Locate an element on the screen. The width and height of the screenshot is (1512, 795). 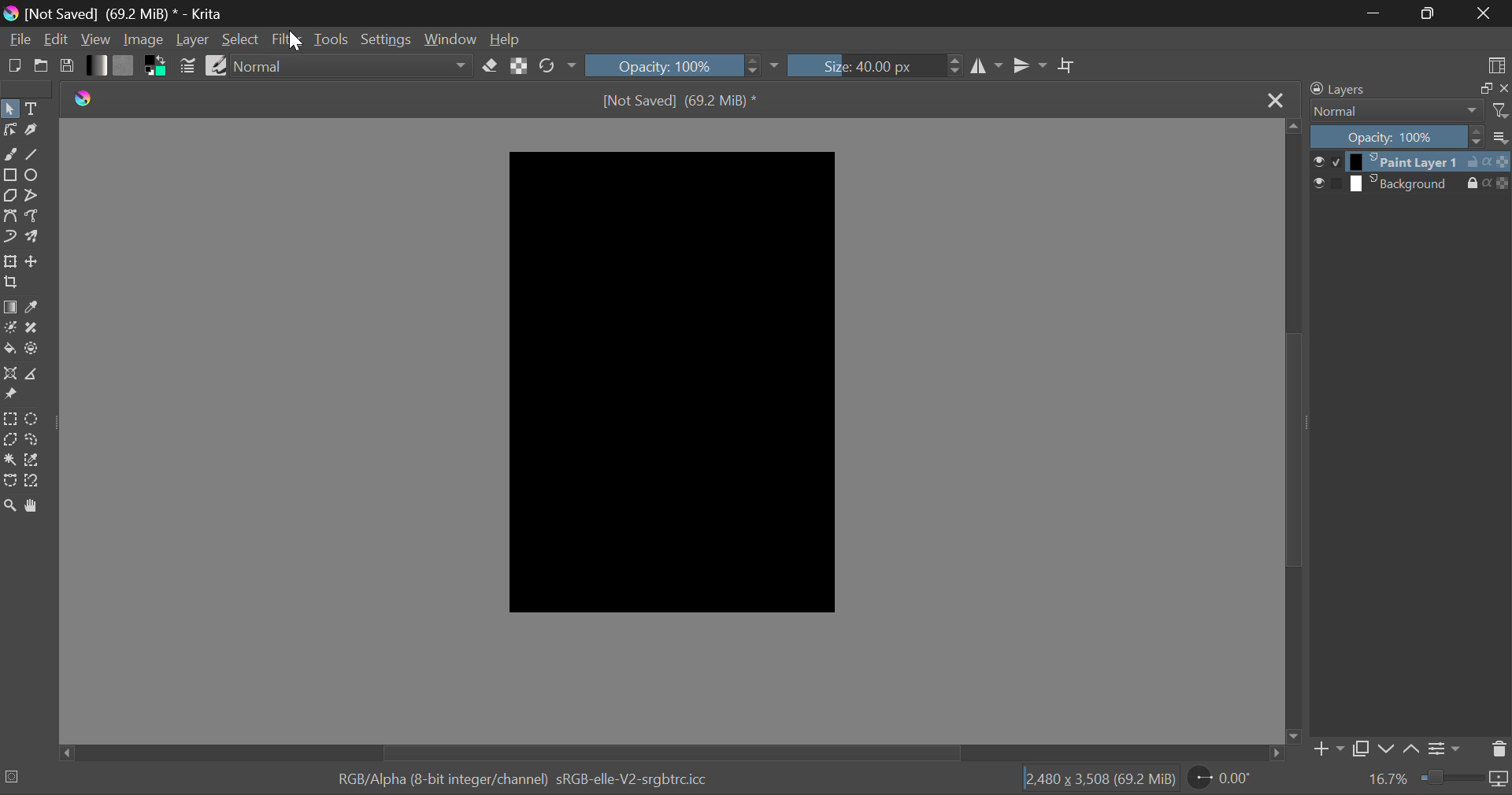
lock is located at coordinates (1462, 183).